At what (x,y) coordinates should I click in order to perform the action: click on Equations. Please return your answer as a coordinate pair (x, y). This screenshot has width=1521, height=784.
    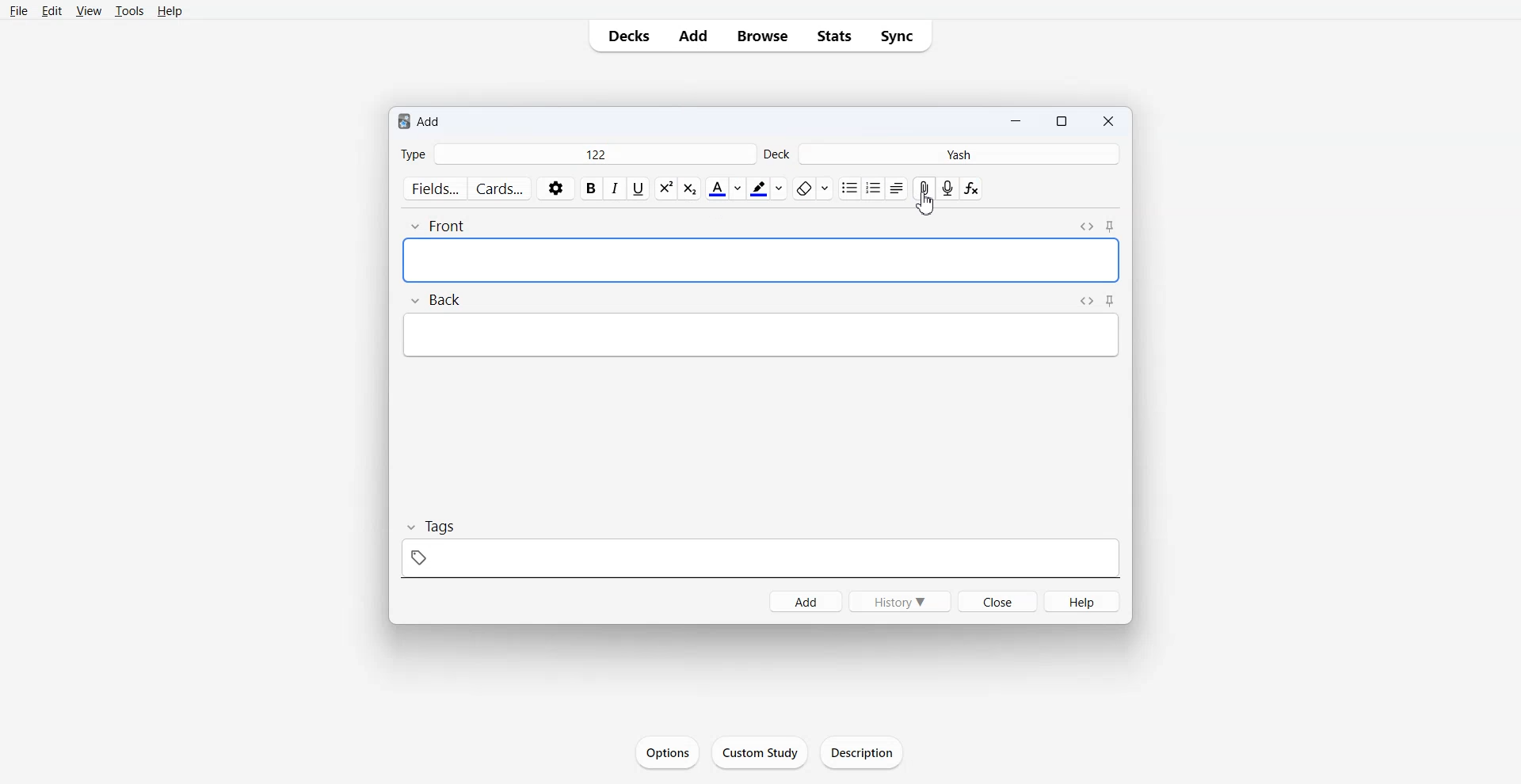
    Looking at the image, I should click on (970, 189).